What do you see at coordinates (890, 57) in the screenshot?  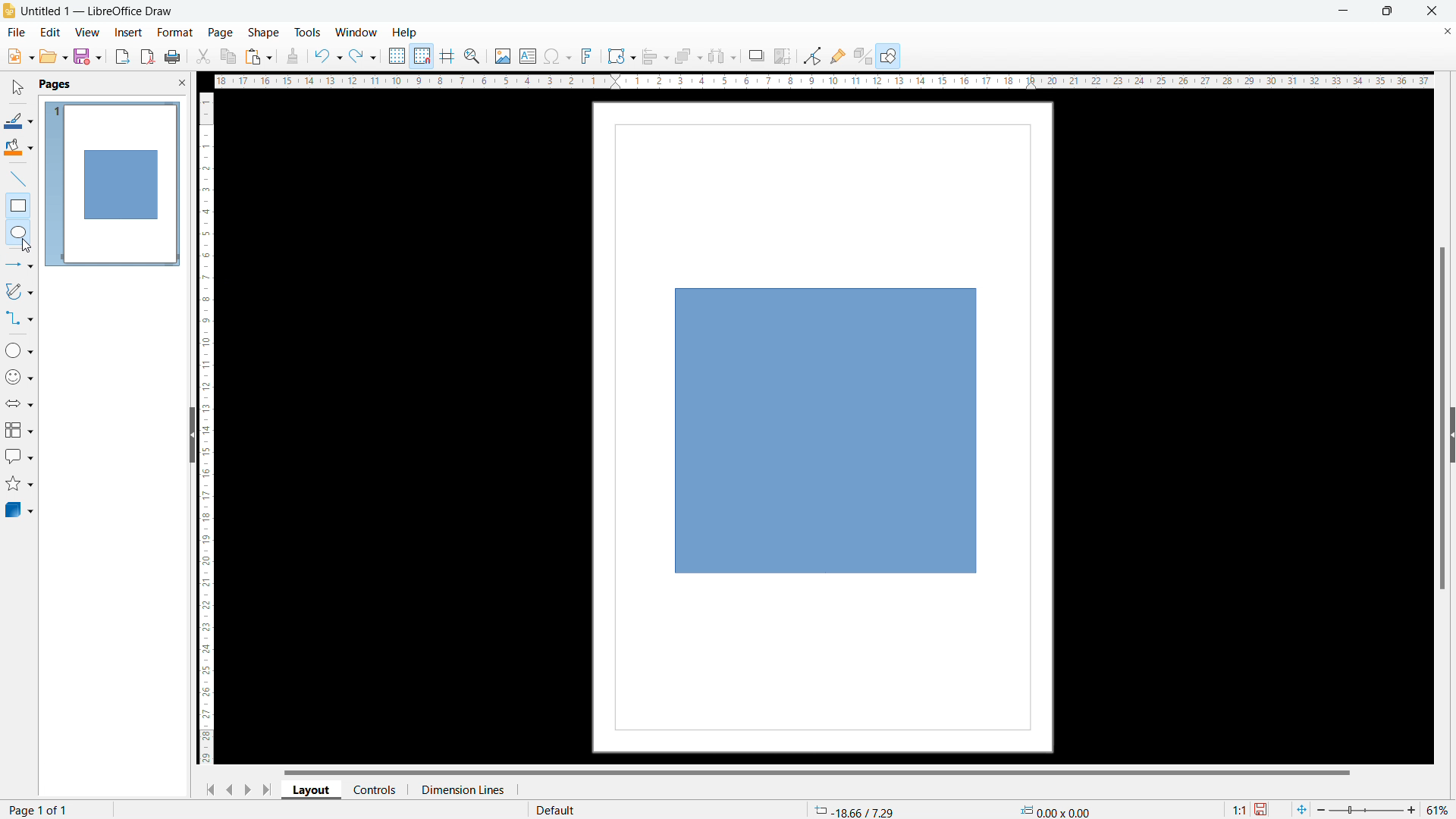 I see `show draw functions` at bounding box center [890, 57].